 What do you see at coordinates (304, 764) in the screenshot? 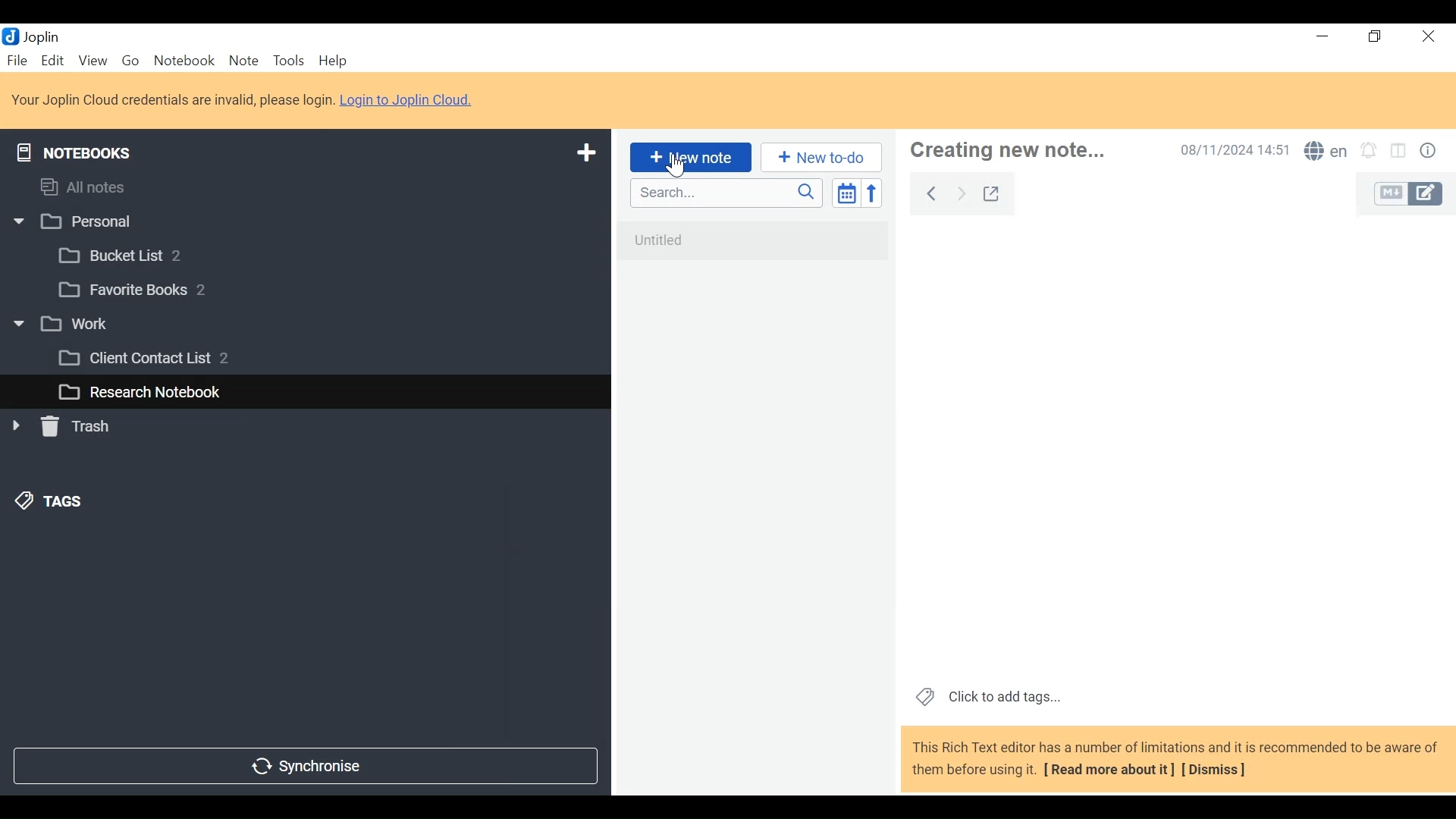
I see `Synchronize` at bounding box center [304, 764].